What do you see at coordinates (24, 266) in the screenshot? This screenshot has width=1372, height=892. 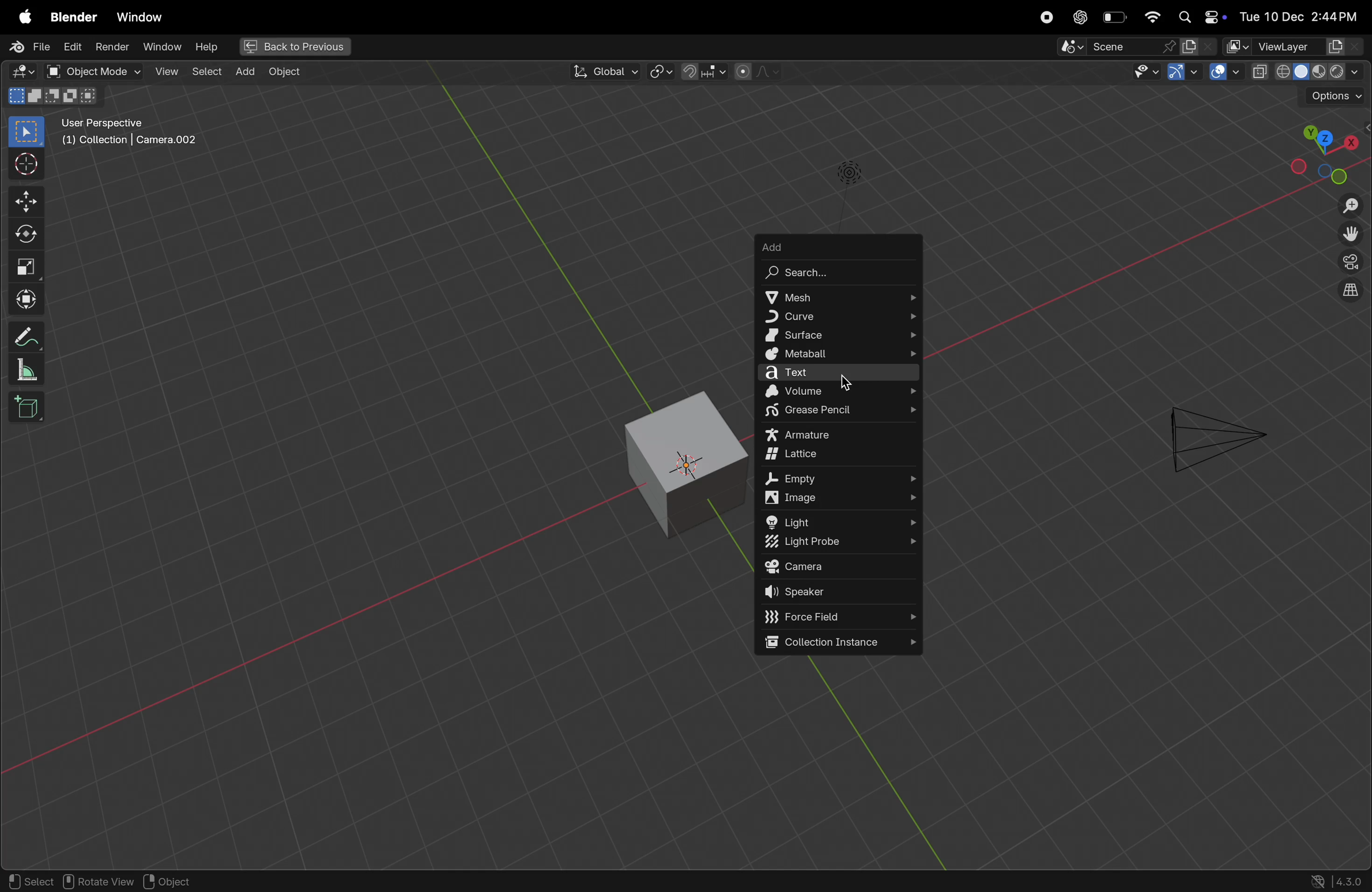 I see `scale` at bounding box center [24, 266].